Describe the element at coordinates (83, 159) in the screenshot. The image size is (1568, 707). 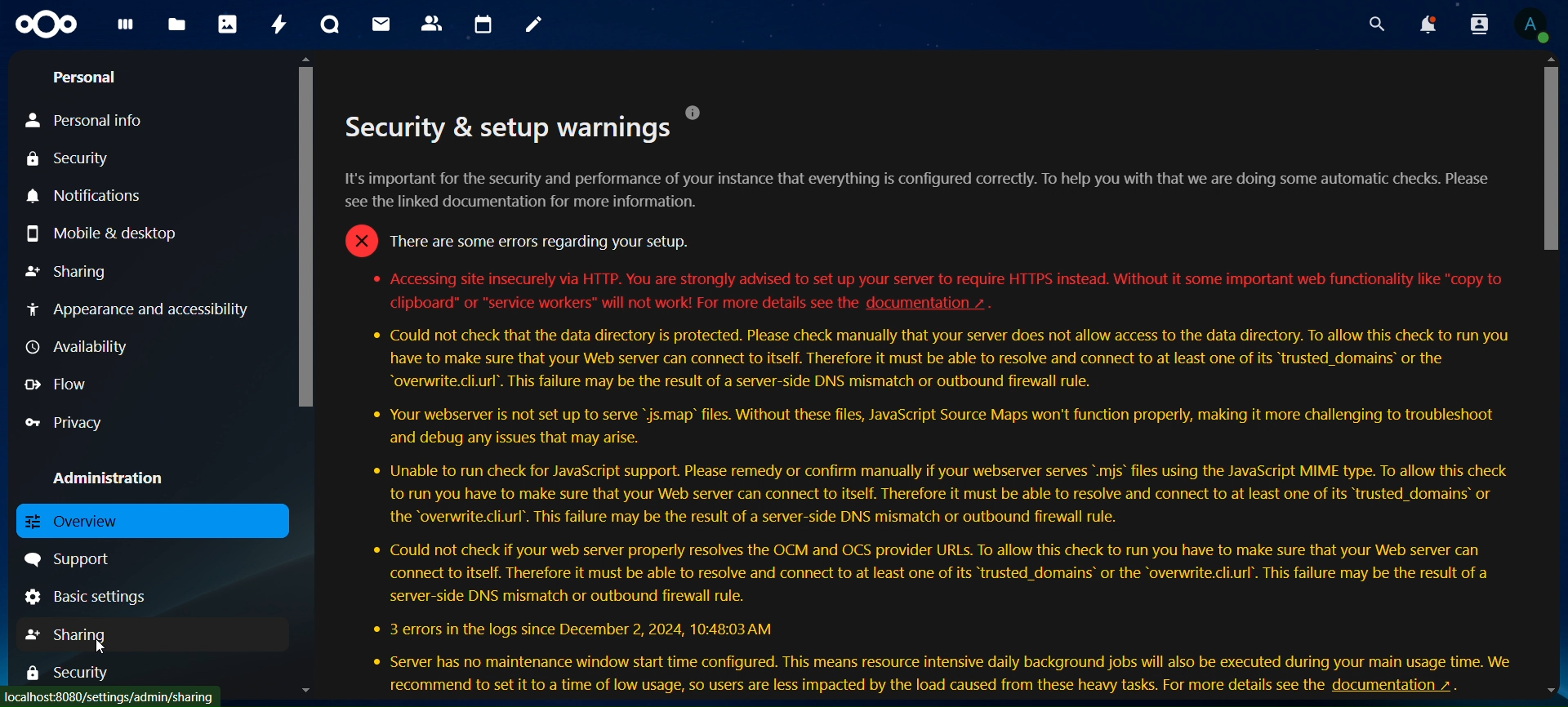
I see `security` at that location.